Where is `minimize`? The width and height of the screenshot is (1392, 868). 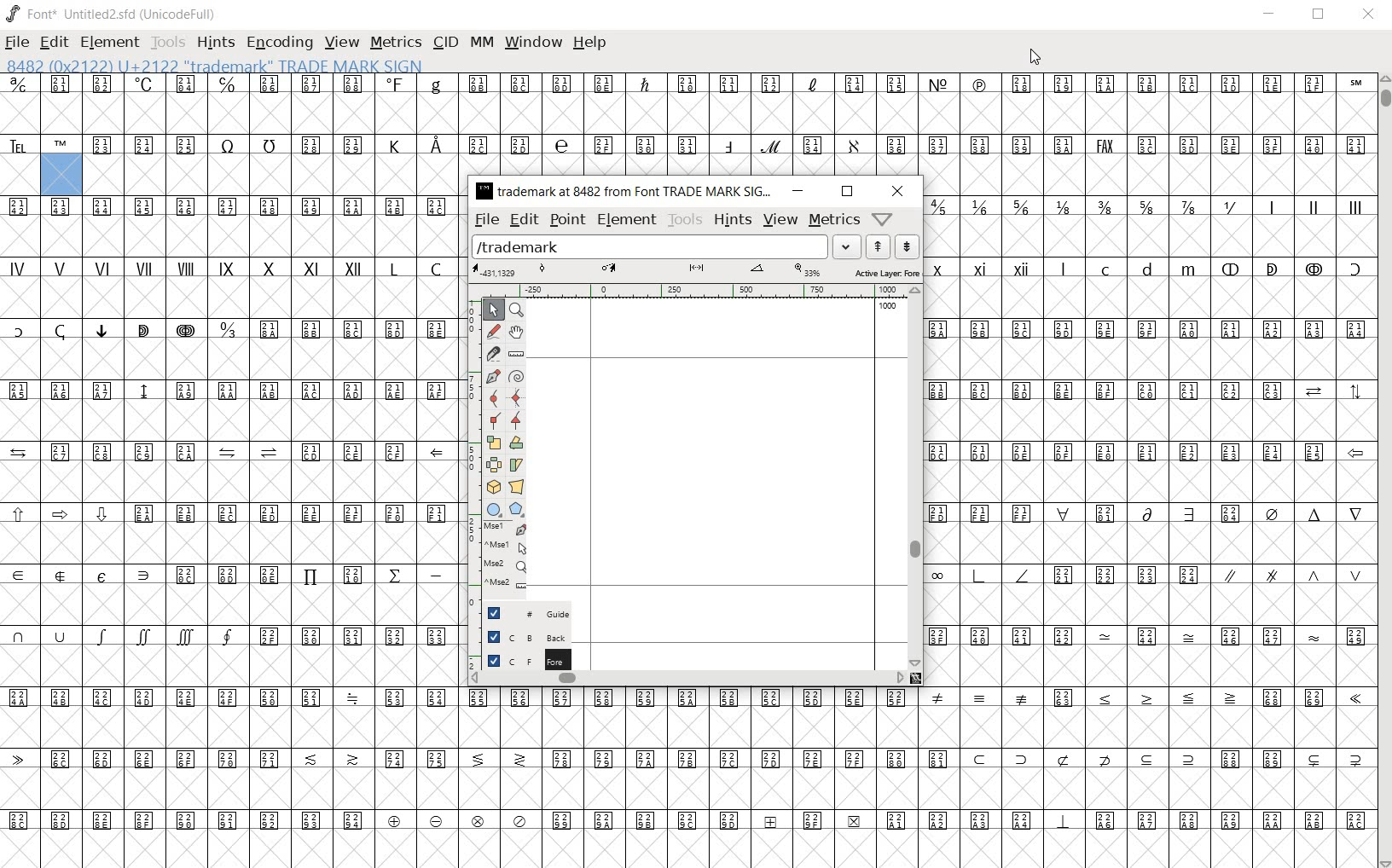
minimize is located at coordinates (798, 191).